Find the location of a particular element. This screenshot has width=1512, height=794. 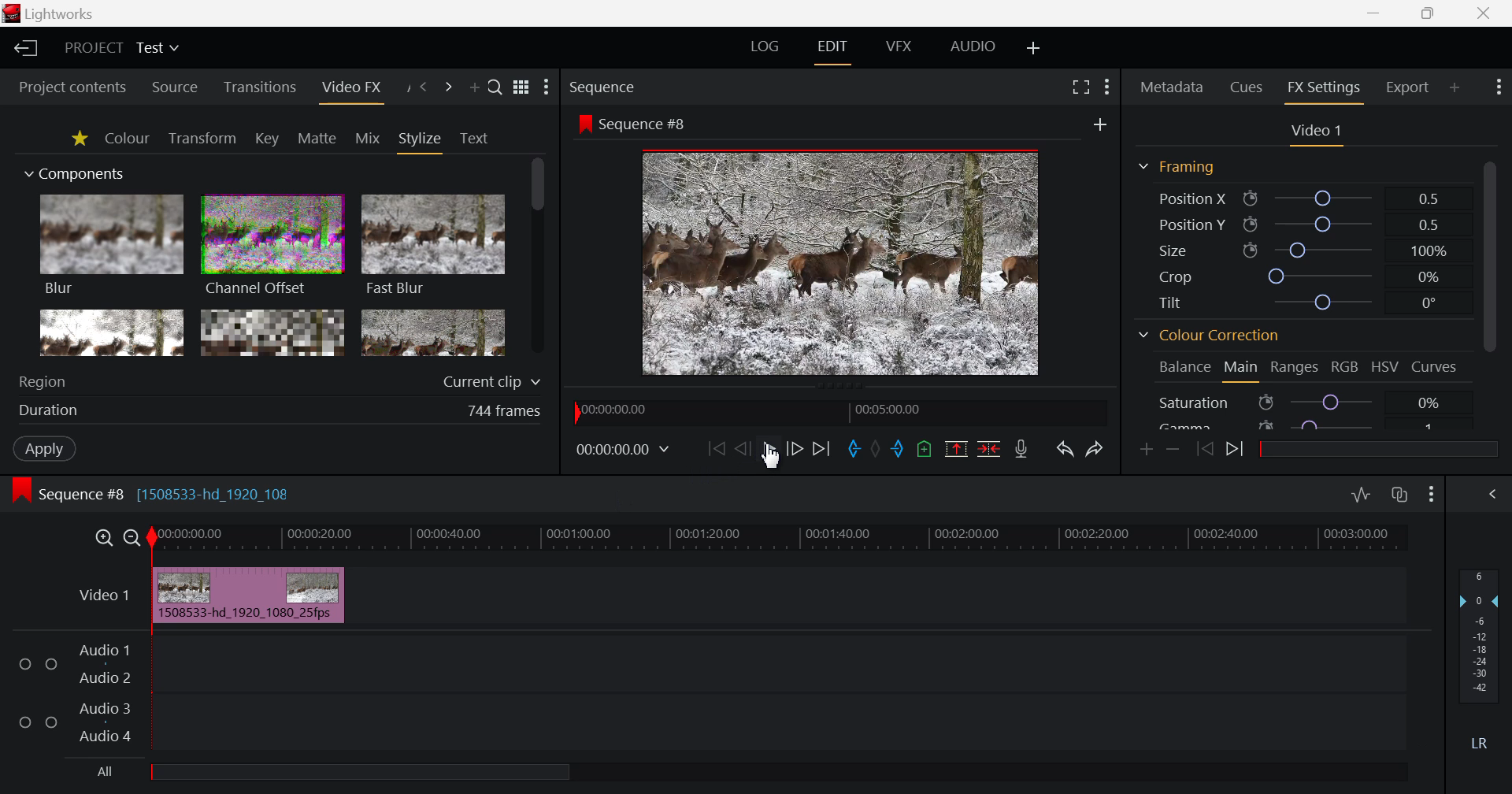

Favorites is located at coordinates (77, 139).